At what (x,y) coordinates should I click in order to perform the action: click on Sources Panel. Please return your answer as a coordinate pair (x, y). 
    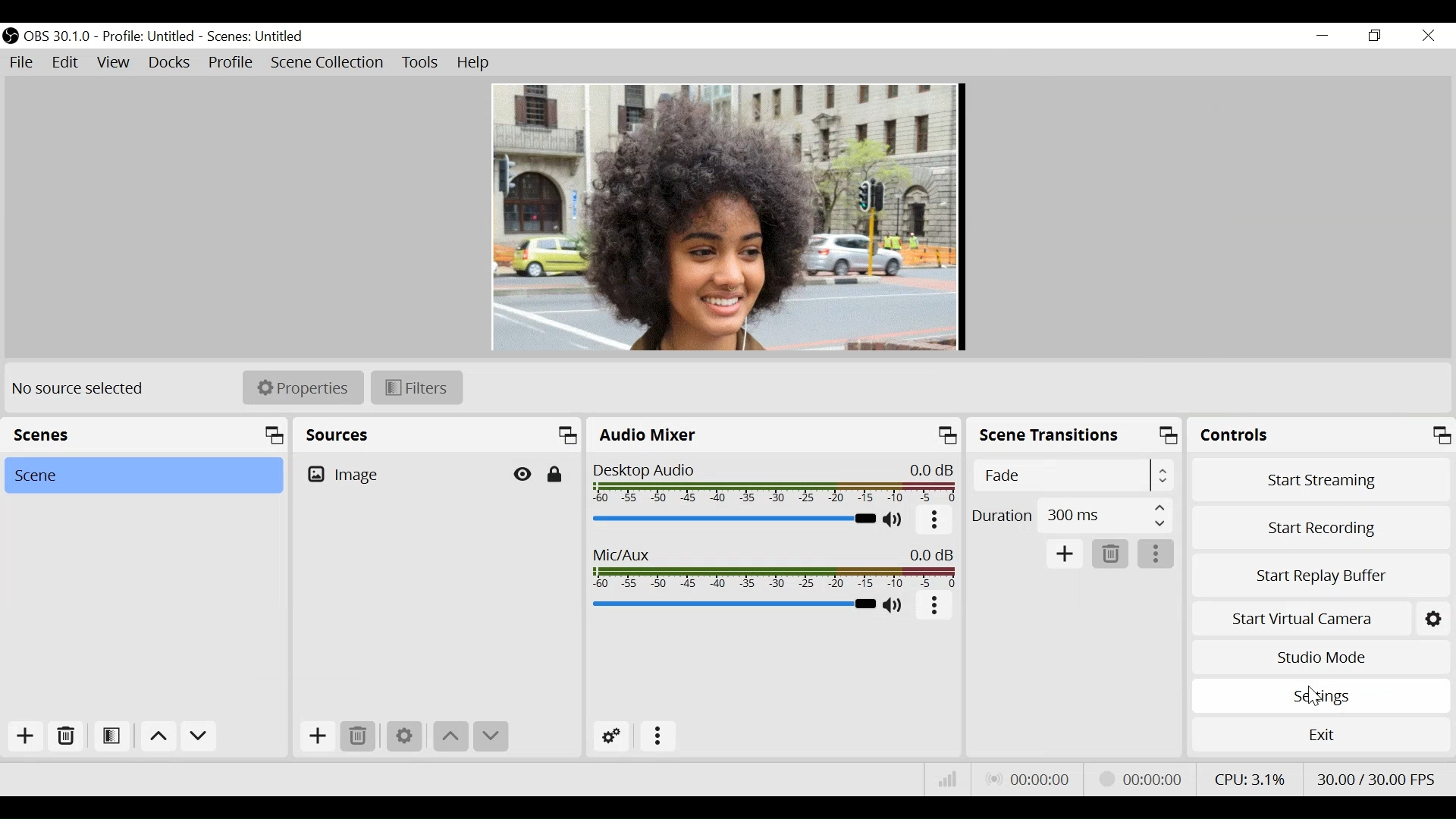
    Looking at the image, I should click on (353, 438).